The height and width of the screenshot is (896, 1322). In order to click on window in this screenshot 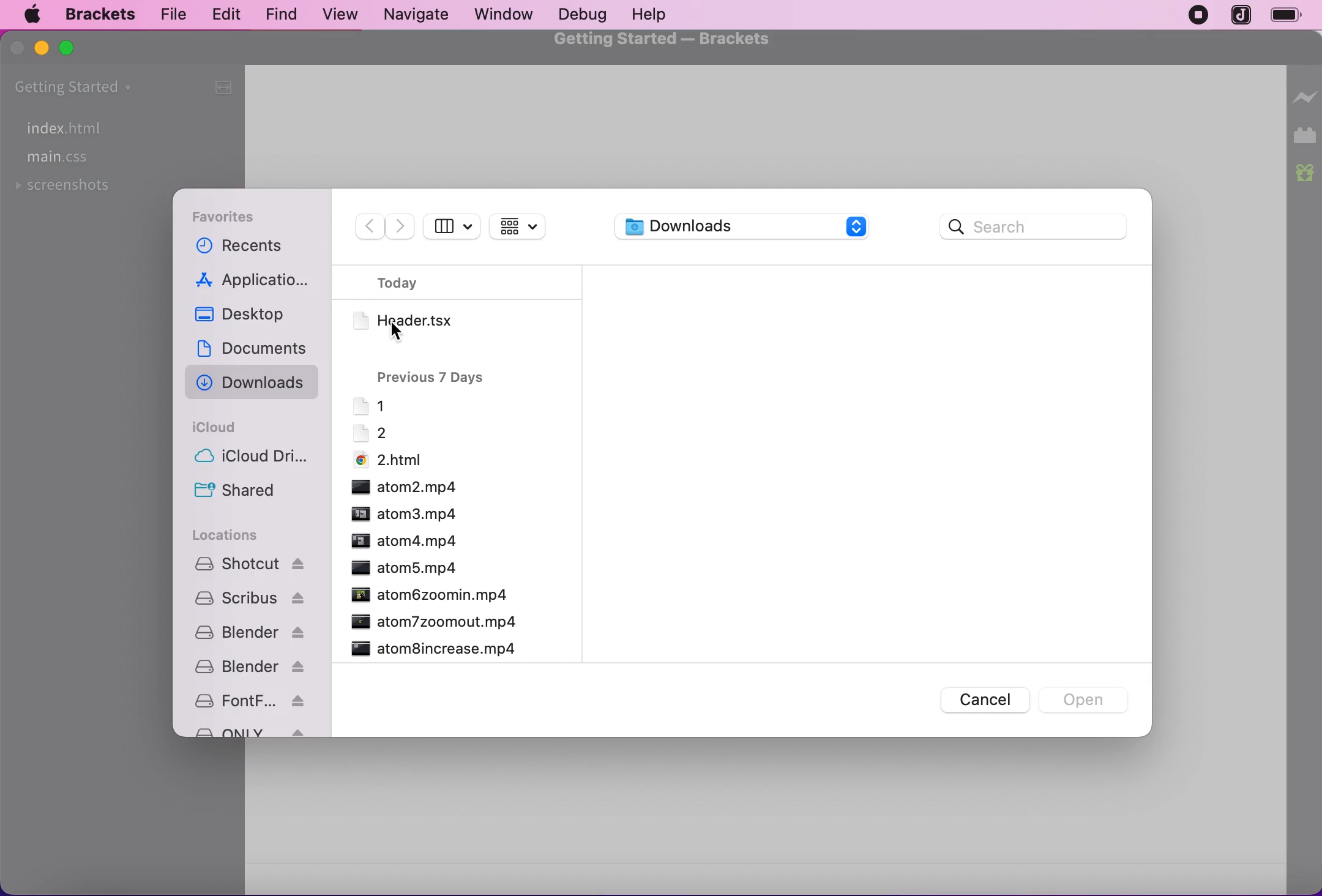, I will do `click(504, 13)`.